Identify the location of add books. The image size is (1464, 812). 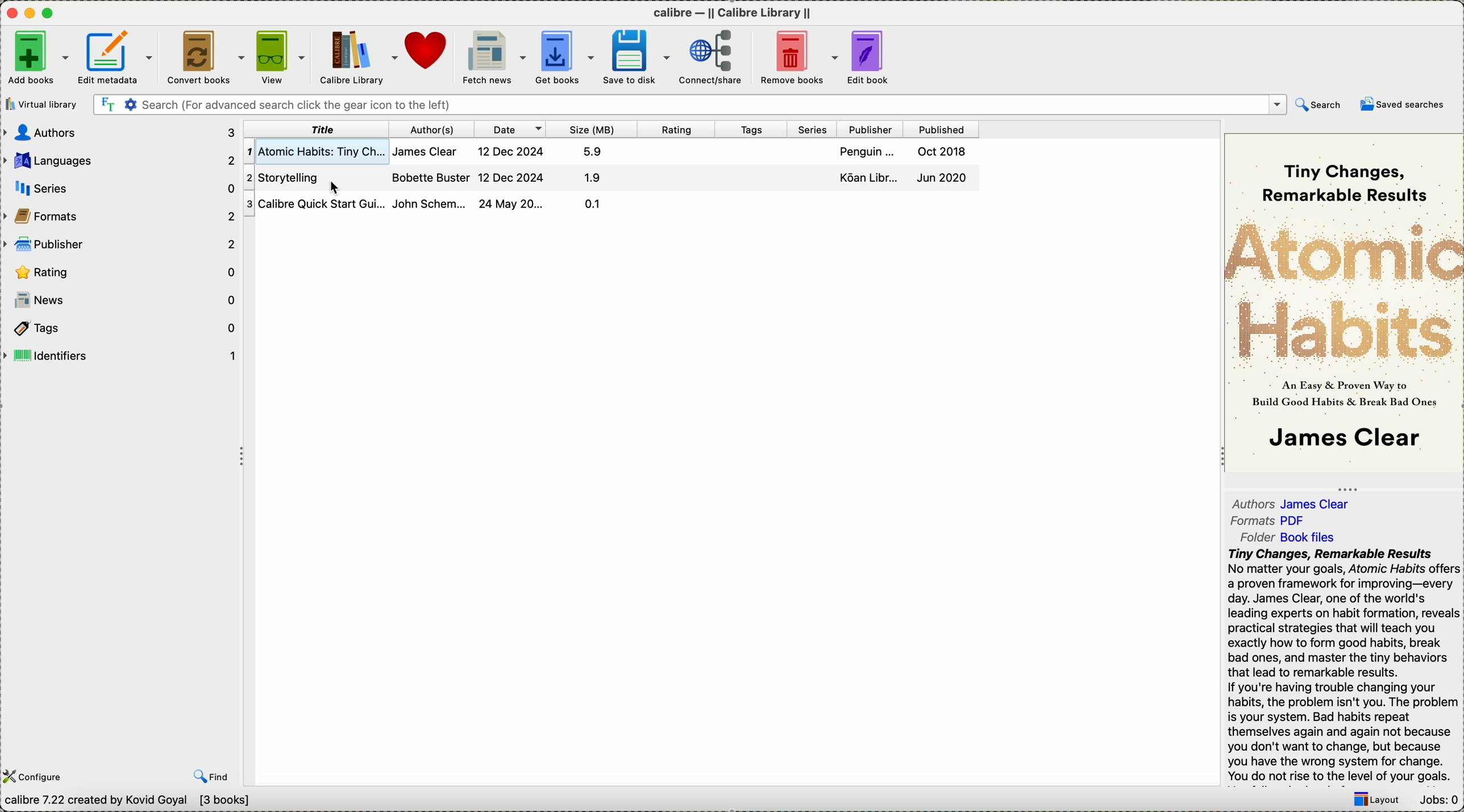
(35, 57).